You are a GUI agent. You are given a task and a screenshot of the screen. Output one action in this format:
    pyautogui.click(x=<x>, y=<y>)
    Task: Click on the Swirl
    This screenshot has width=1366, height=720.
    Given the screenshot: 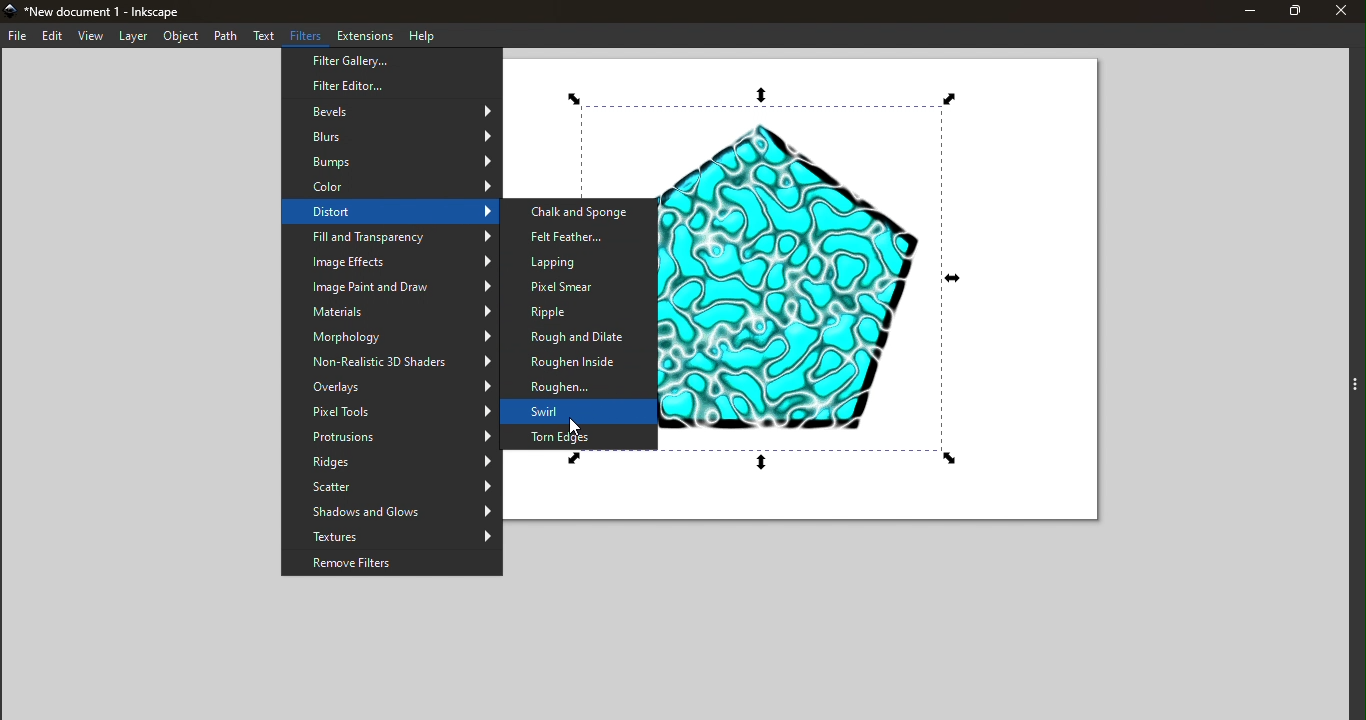 What is the action you would take?
    pyautogui.click(x=579, y=412)
    